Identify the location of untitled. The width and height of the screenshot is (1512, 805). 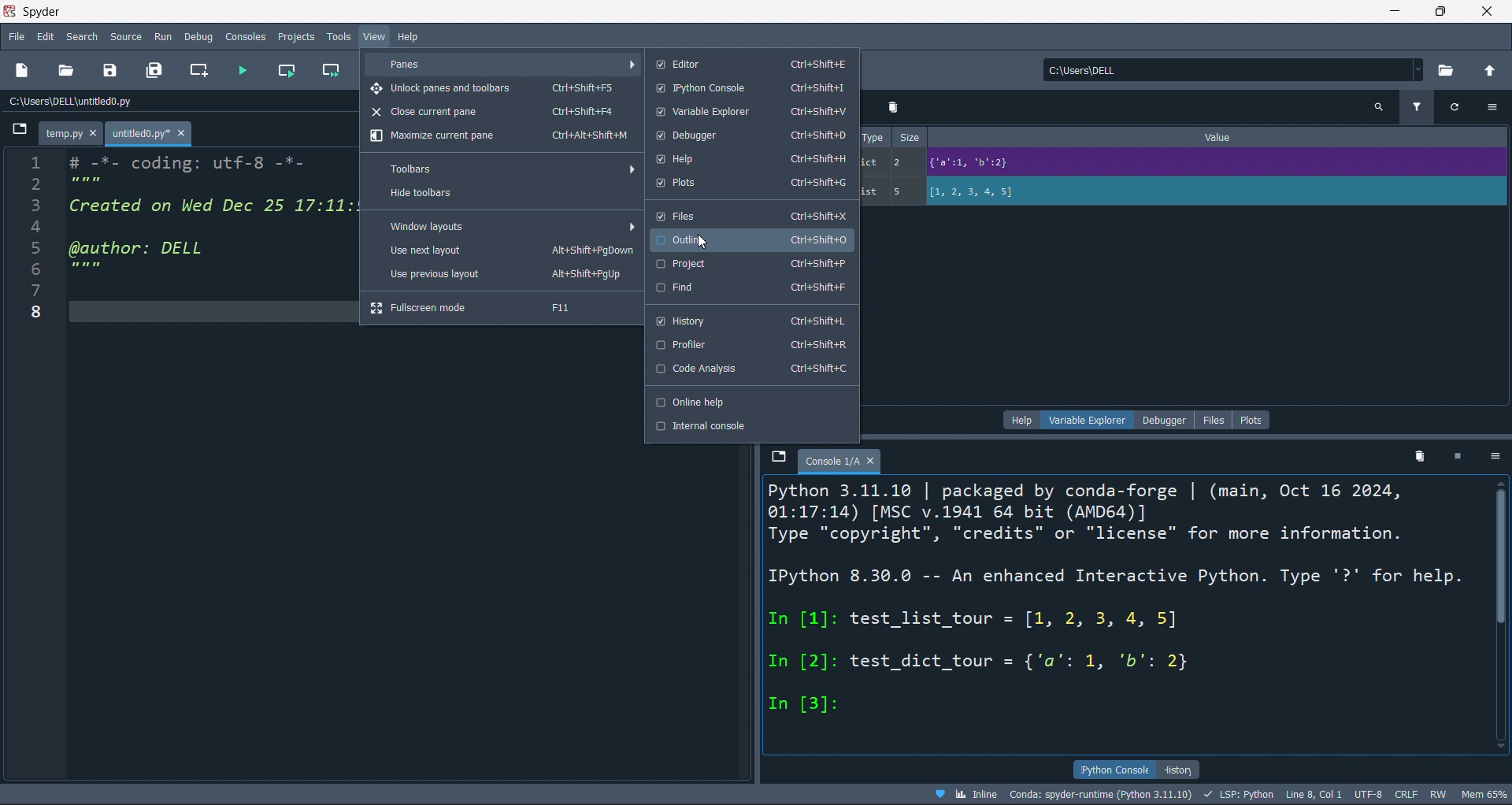
(149, 134).